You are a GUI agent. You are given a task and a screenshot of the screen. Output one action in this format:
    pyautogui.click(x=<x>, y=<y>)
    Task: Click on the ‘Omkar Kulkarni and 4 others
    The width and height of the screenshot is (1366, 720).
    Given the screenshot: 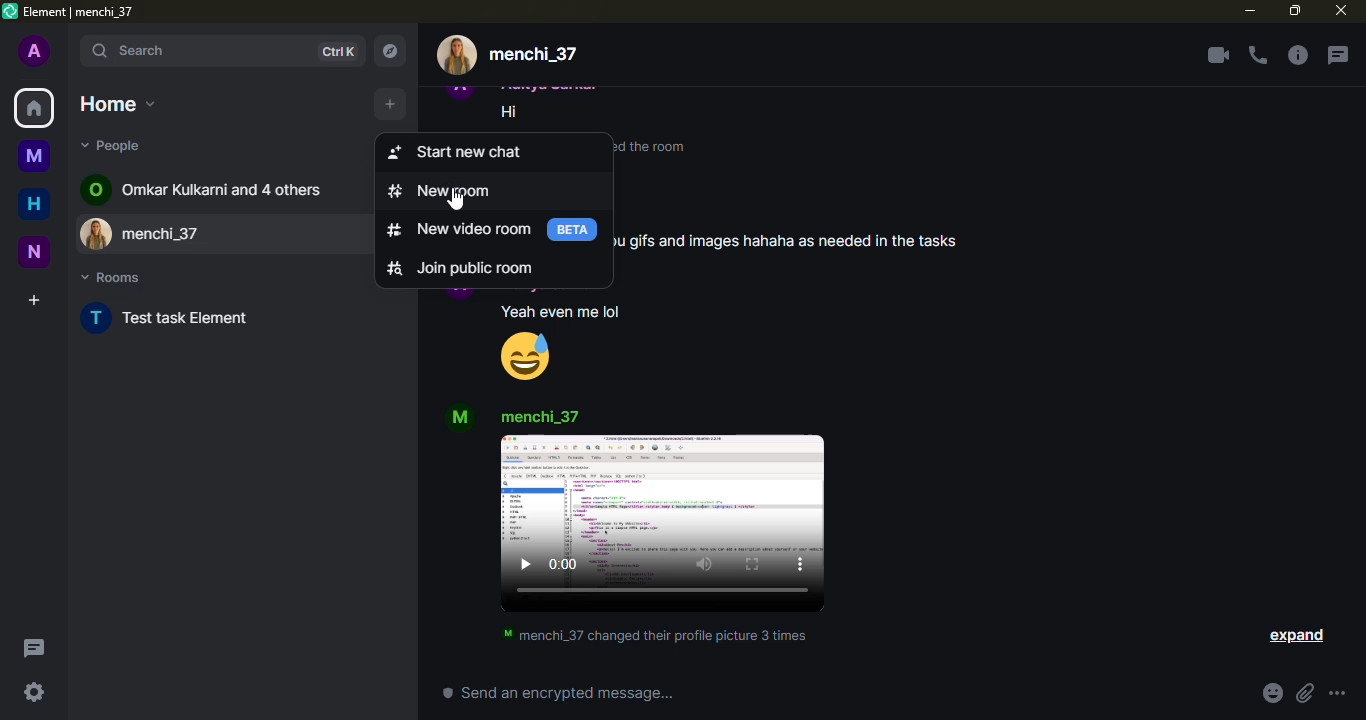 What is the action you would take?
    pyautogui.click(x=222, y=189)
    